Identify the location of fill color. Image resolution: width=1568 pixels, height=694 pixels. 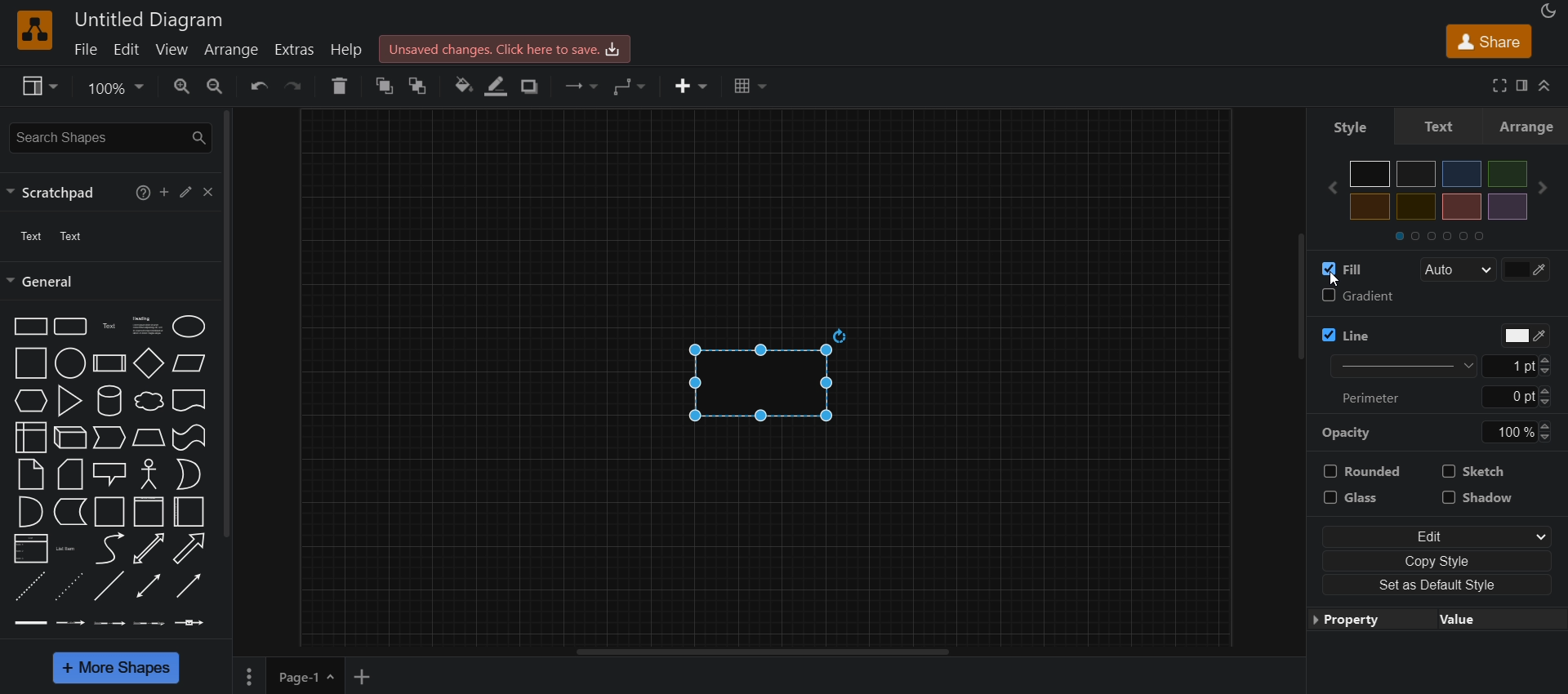
(1526, 269).